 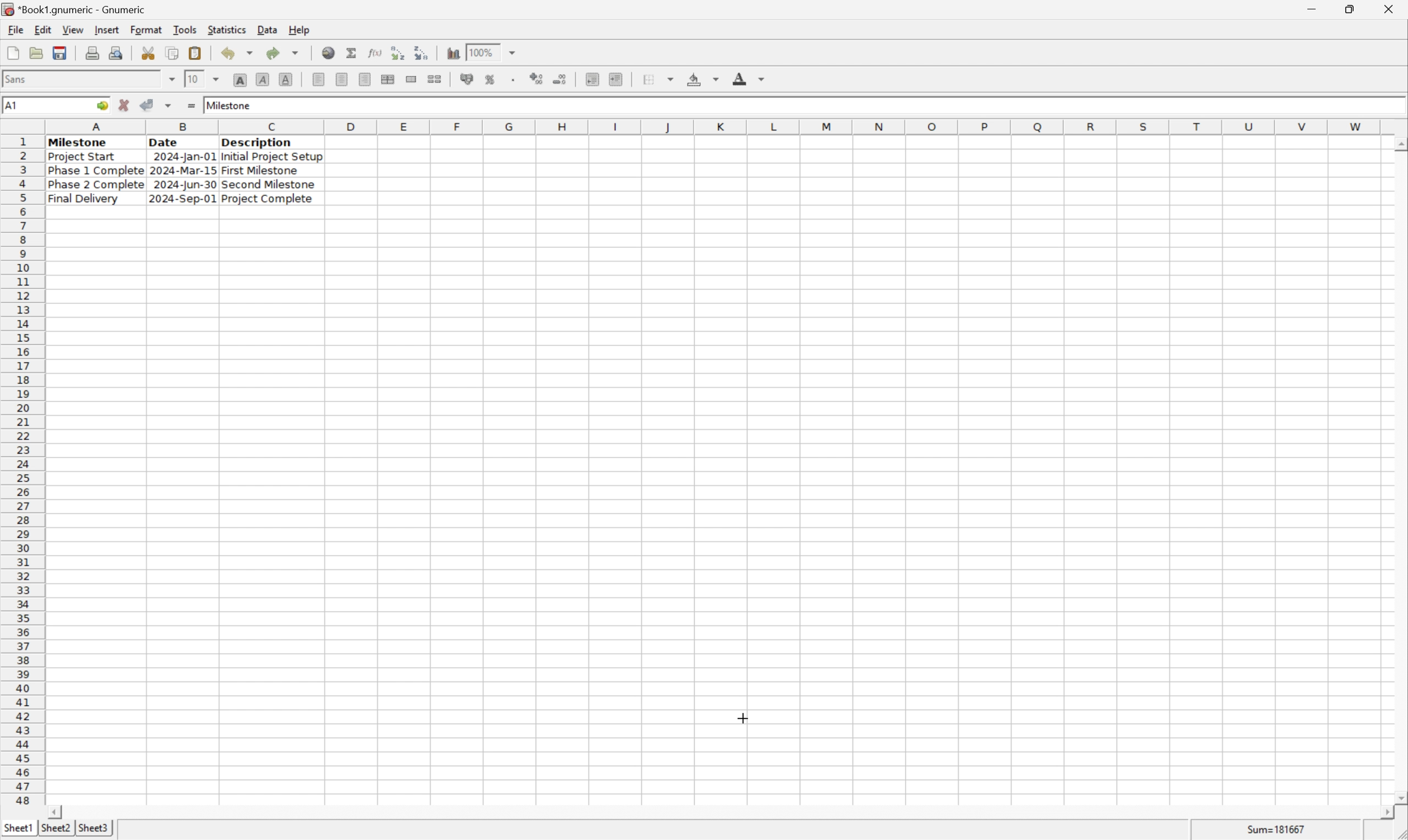 I want to click on highlight color, so click(x=700, y=77).